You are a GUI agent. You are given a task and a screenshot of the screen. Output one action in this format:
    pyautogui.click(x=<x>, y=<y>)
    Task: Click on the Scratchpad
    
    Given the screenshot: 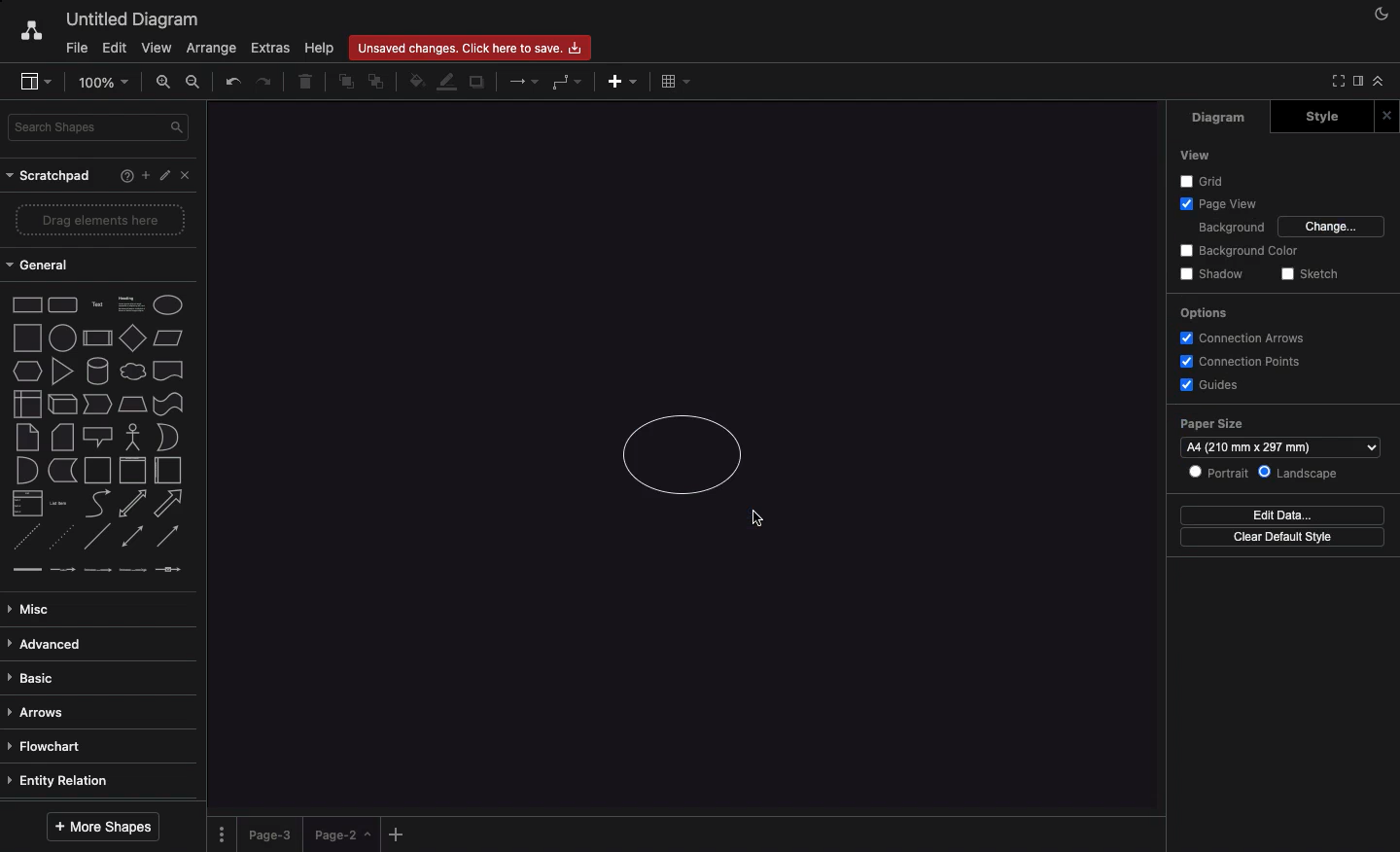 What is the action you would take?
    pyautogui.click(x=52, y=177)
    